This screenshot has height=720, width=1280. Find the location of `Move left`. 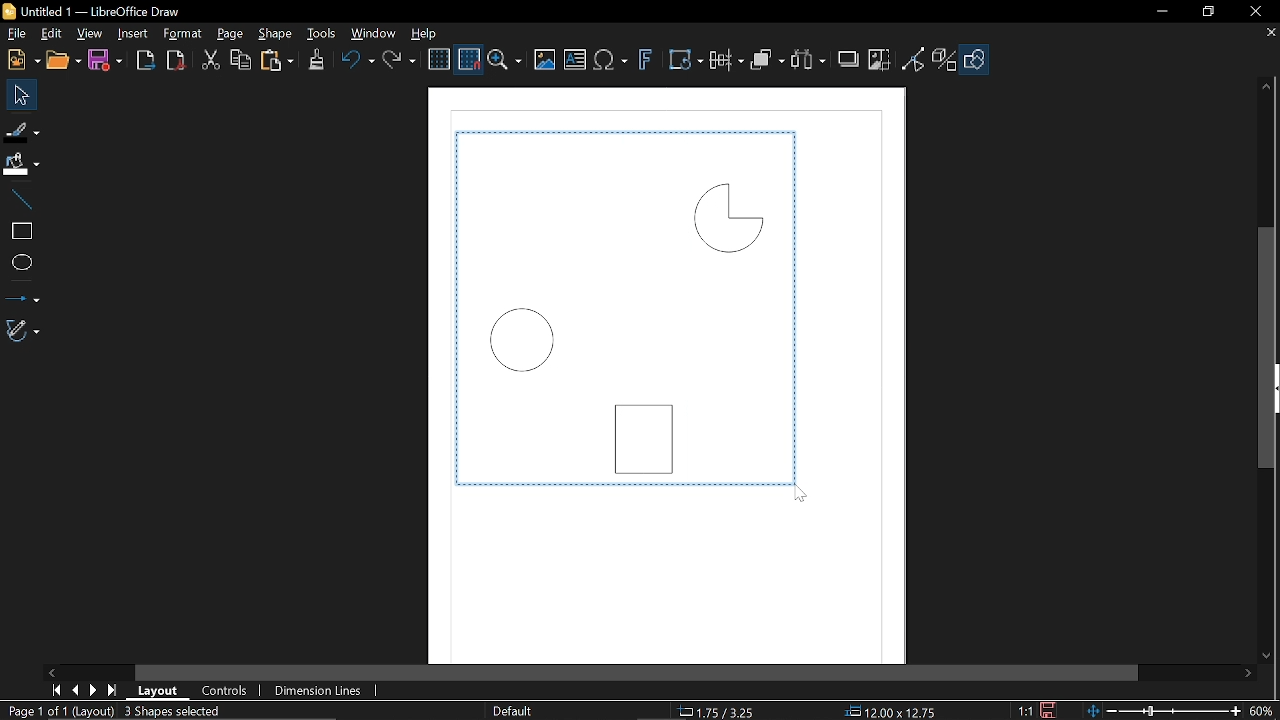

Move left is located at coordinates (51, 671).